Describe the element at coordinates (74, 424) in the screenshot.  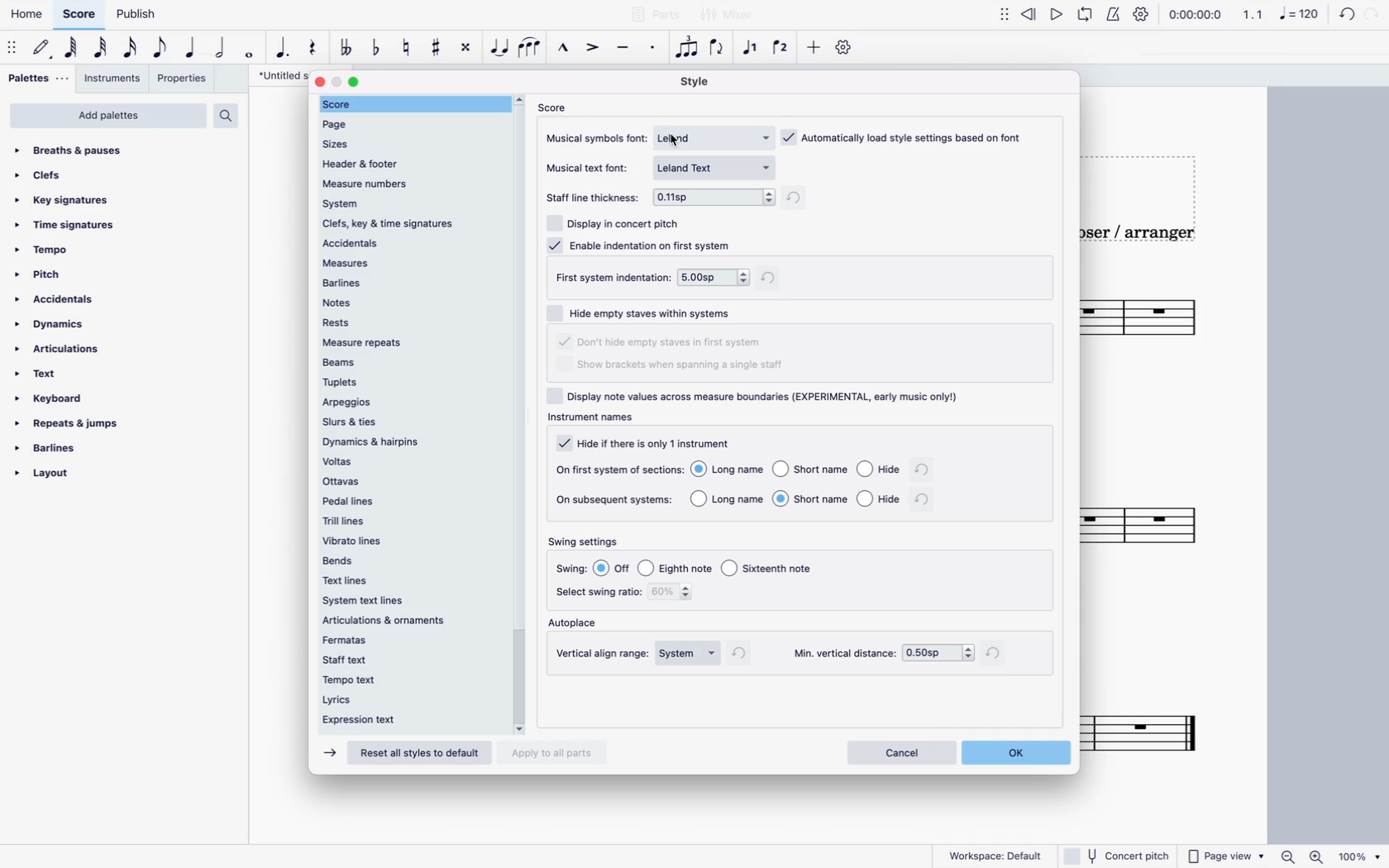
I see `repeats & jumps` at that location.